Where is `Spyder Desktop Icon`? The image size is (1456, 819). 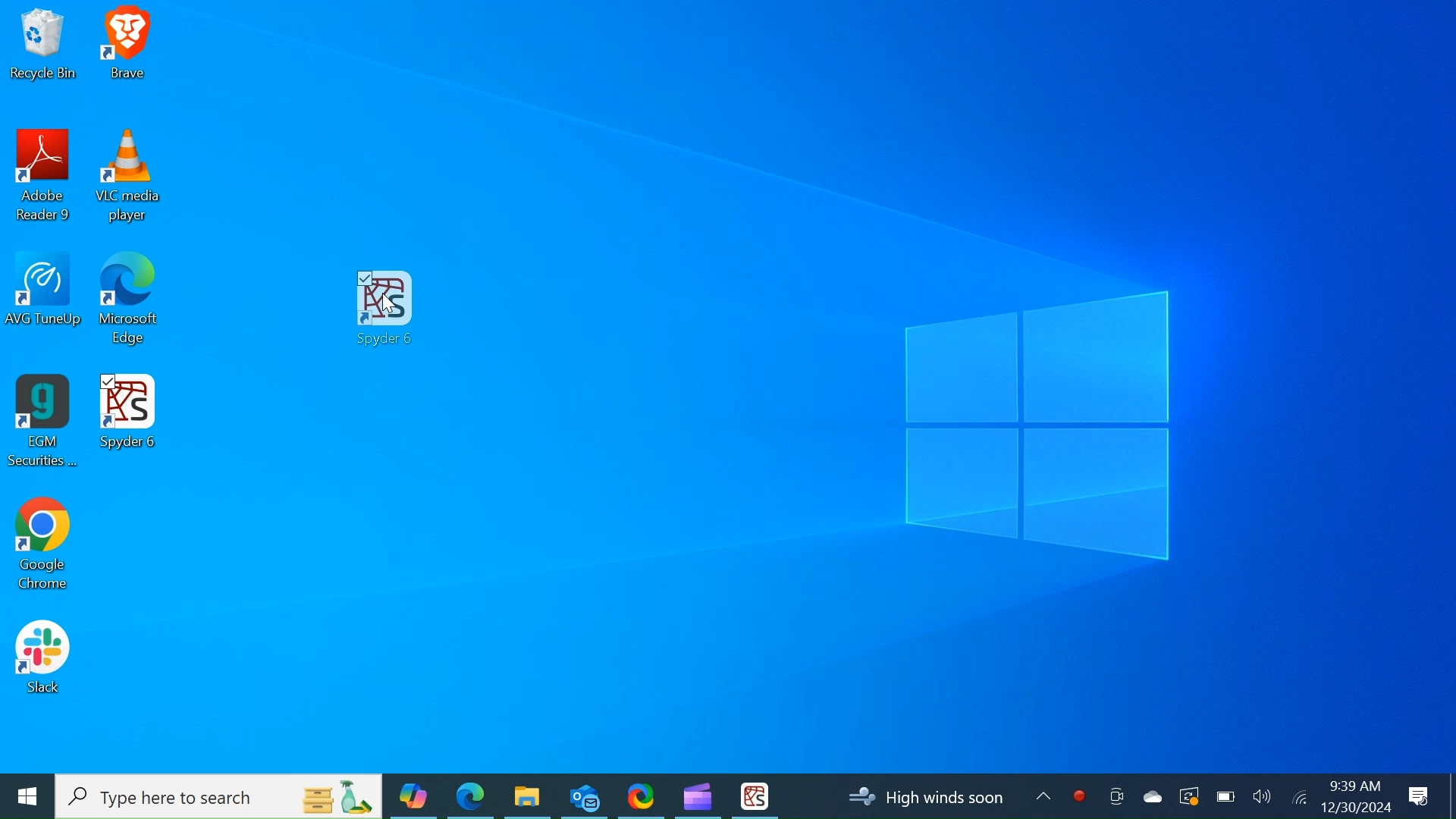
Spyder Desktop Icon is located at coordinates (128, 414).